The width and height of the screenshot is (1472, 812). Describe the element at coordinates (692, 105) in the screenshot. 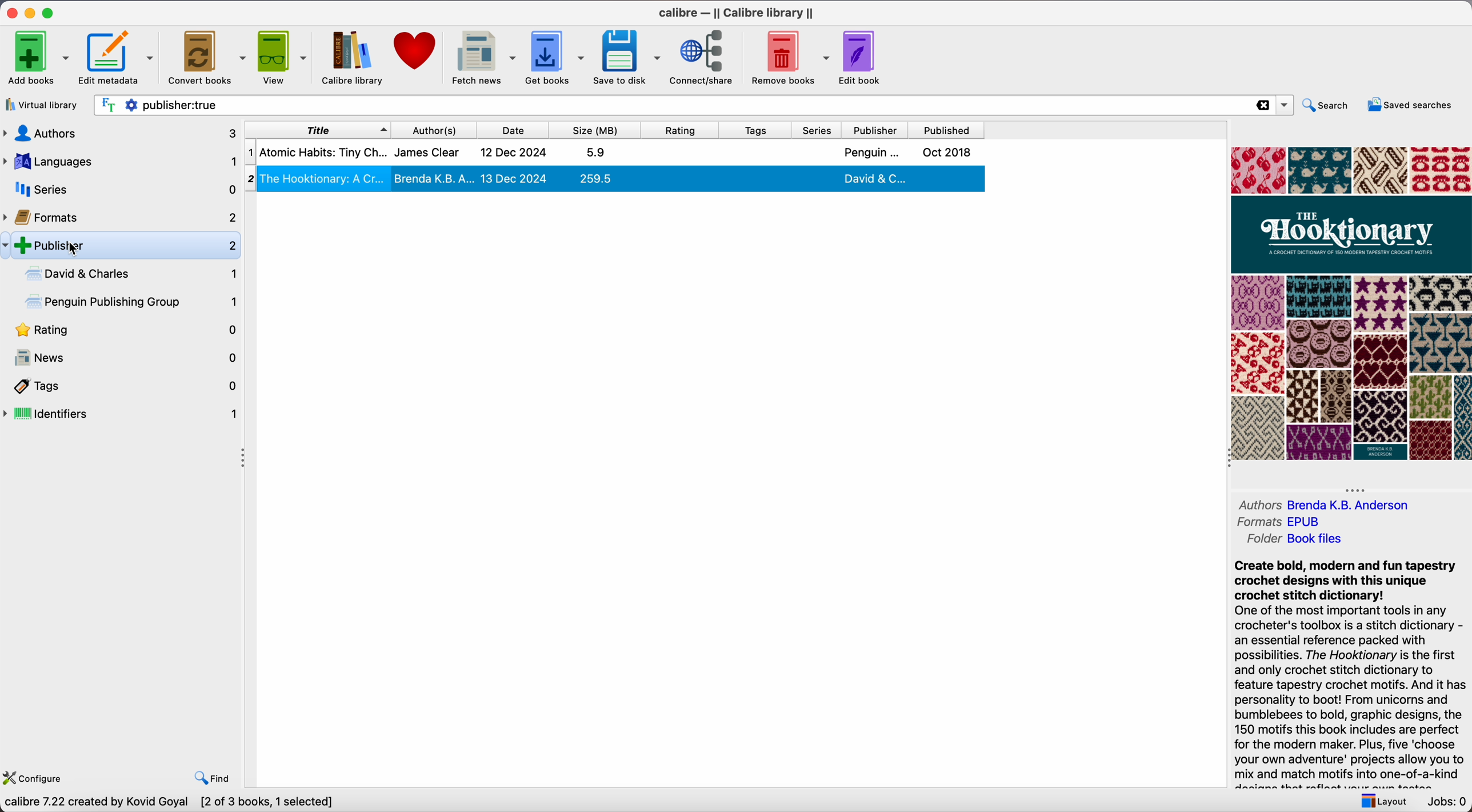

I see `search bar` at that location.